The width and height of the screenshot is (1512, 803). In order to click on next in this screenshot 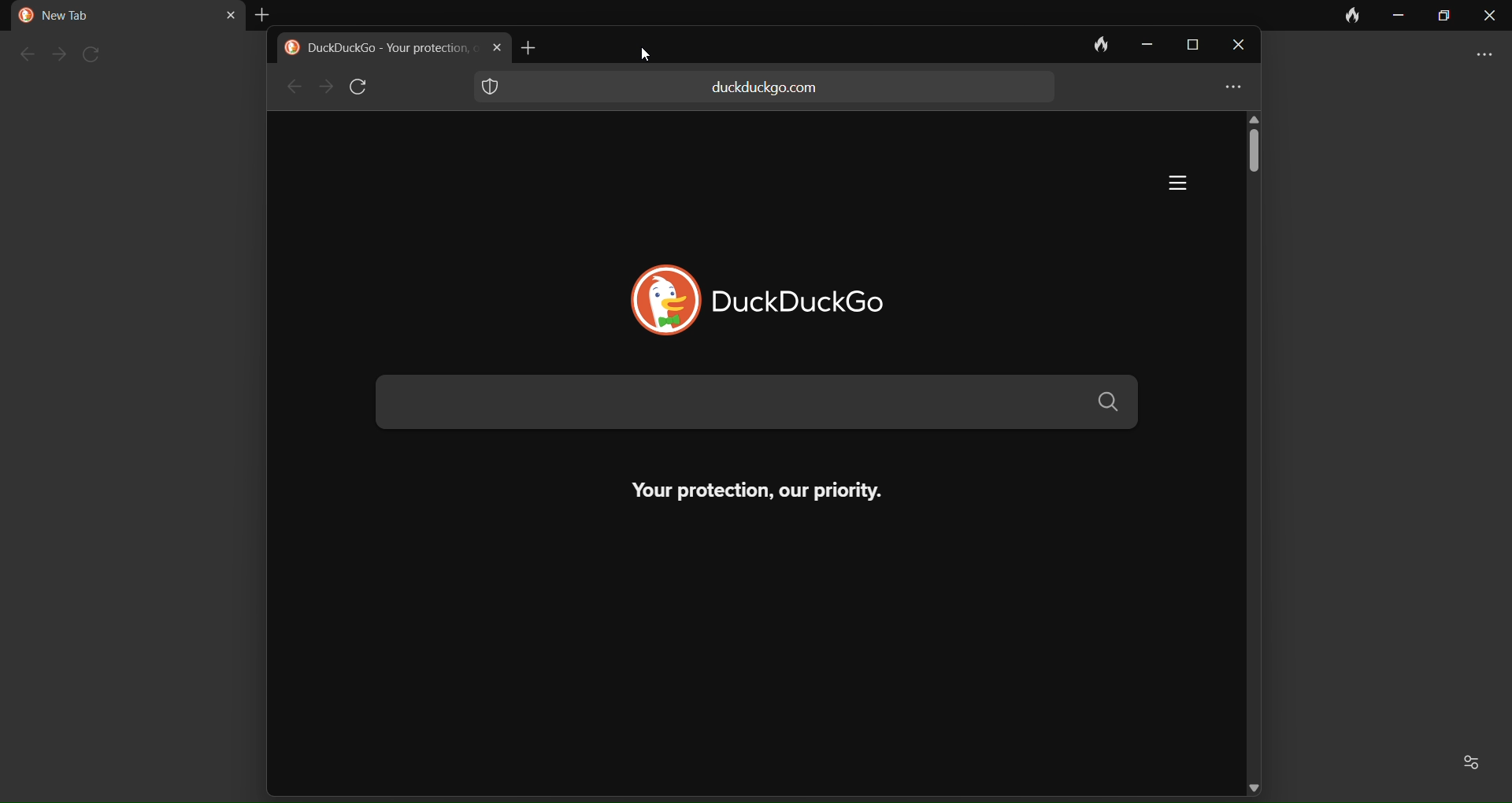, I will do `click(57, 55)`.